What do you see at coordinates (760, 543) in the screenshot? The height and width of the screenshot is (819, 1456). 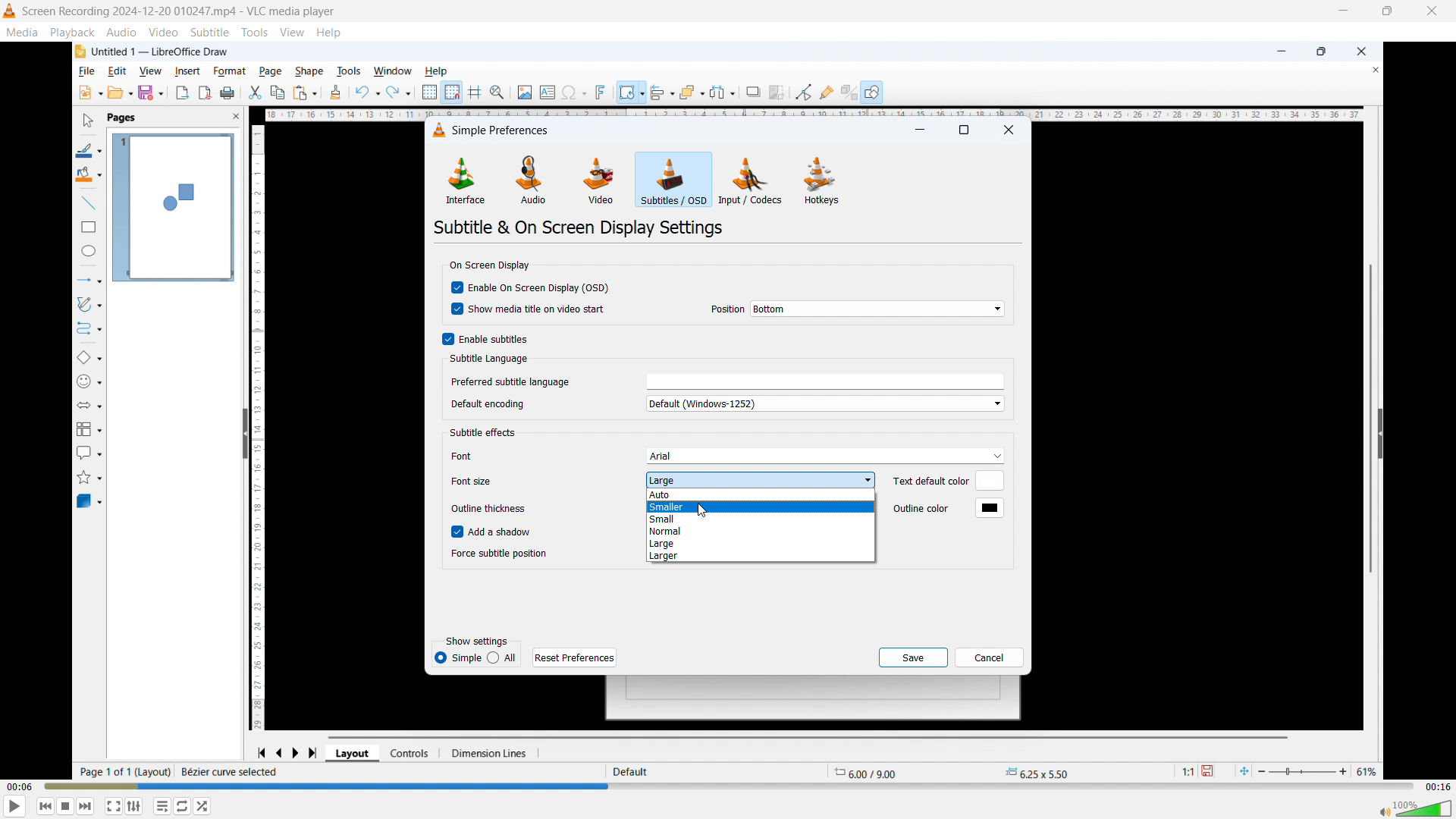 I see `Large ` at bounding box center [760, 543].